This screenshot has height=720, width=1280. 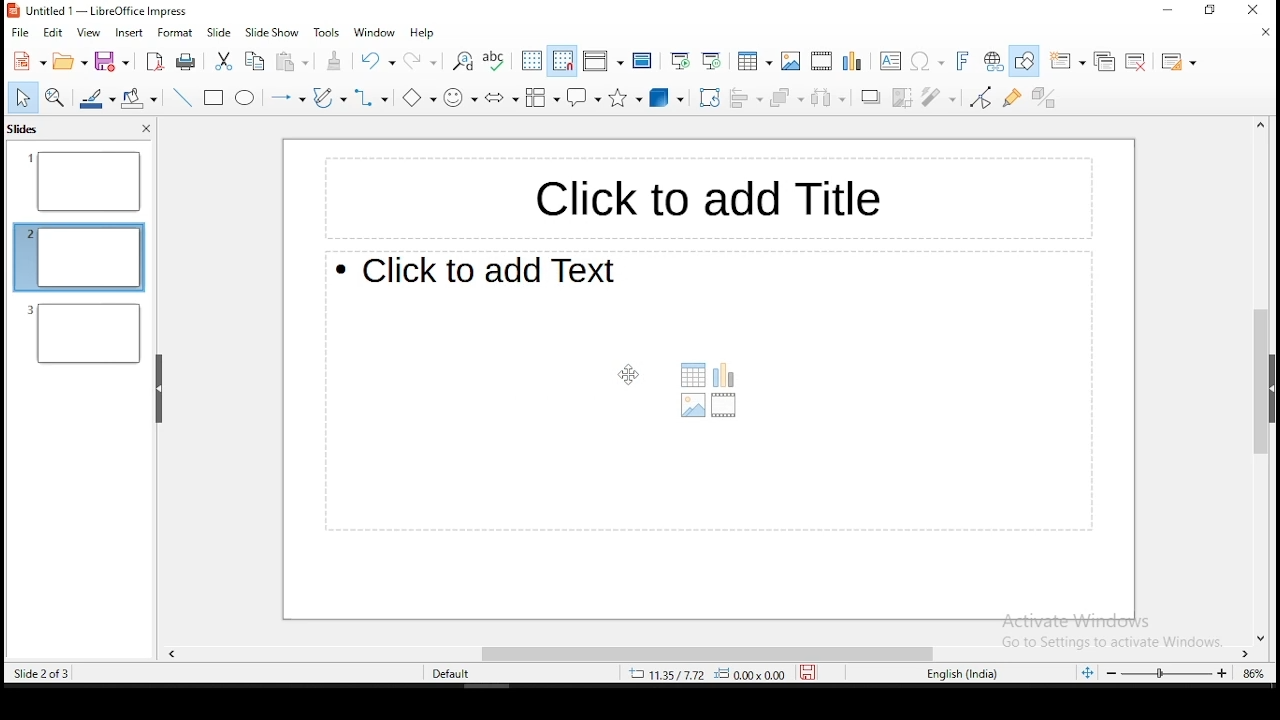 I want to click on text box, so click(x=699, y=194).